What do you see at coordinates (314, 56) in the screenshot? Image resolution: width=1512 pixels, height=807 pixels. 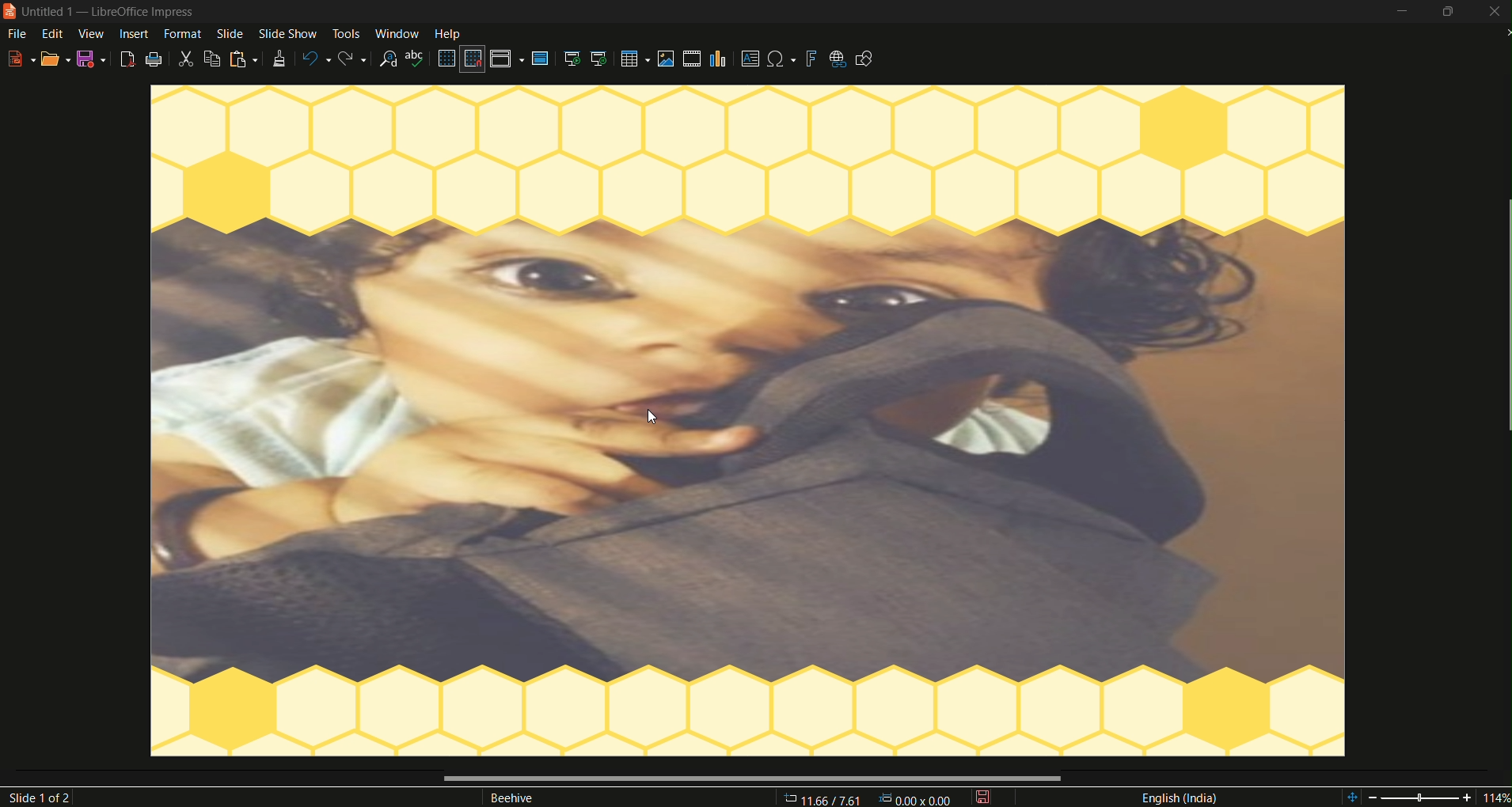 I see `undo` at bounding box center [314, 56].